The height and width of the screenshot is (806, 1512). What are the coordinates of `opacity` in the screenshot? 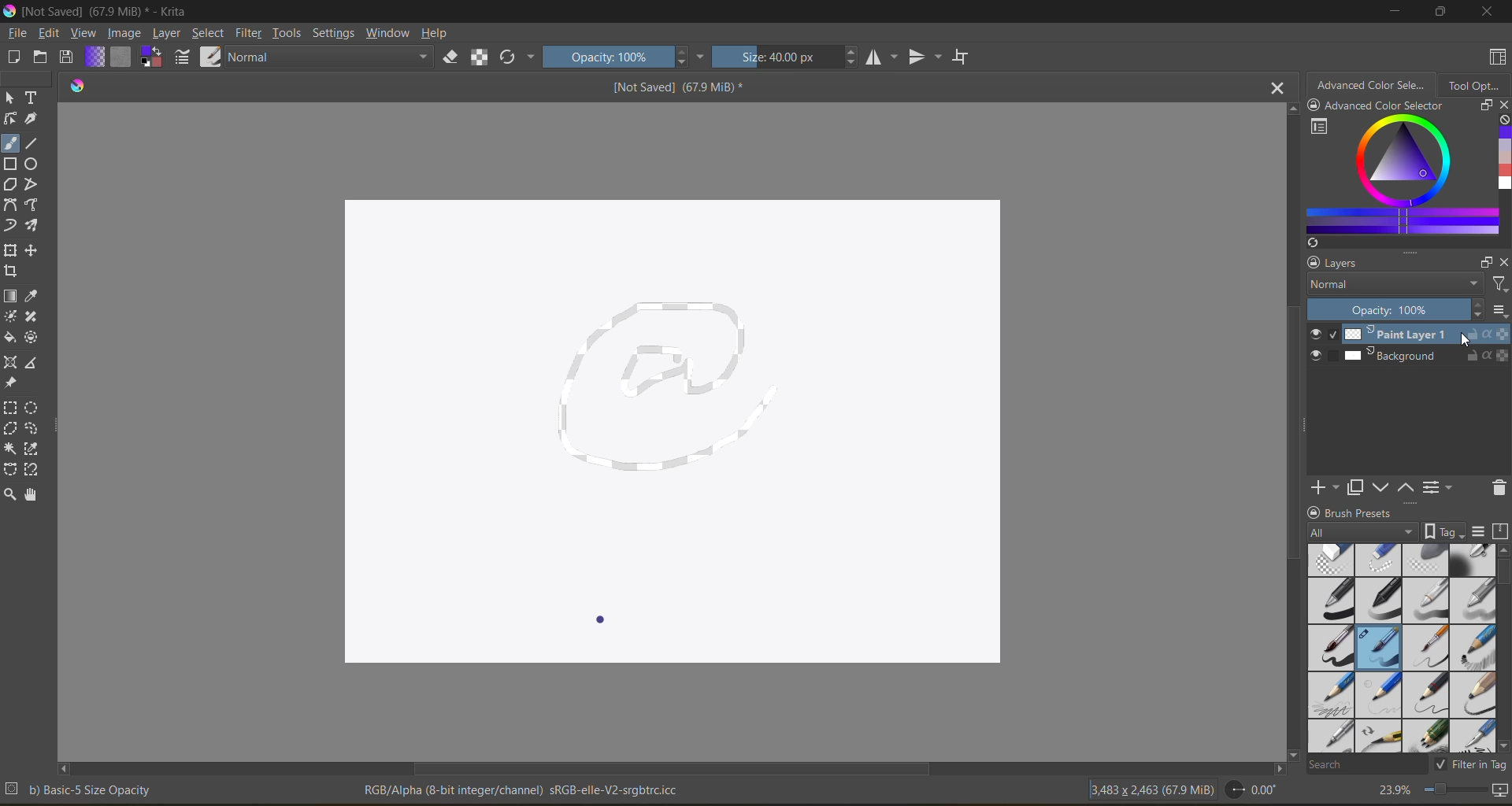 It's located at (1398, 309).